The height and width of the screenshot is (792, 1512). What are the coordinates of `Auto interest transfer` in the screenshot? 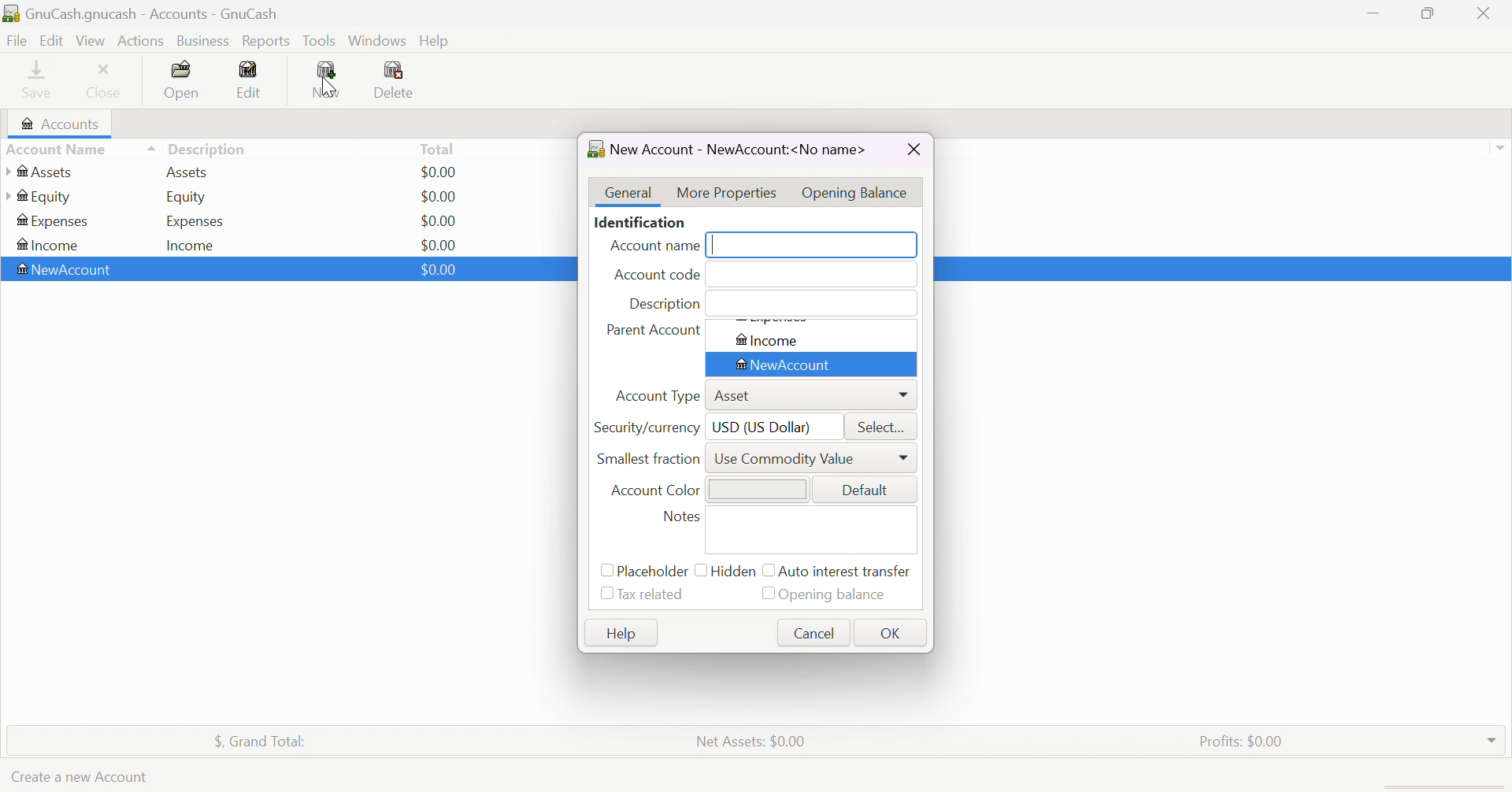 It's located at (847, 572).